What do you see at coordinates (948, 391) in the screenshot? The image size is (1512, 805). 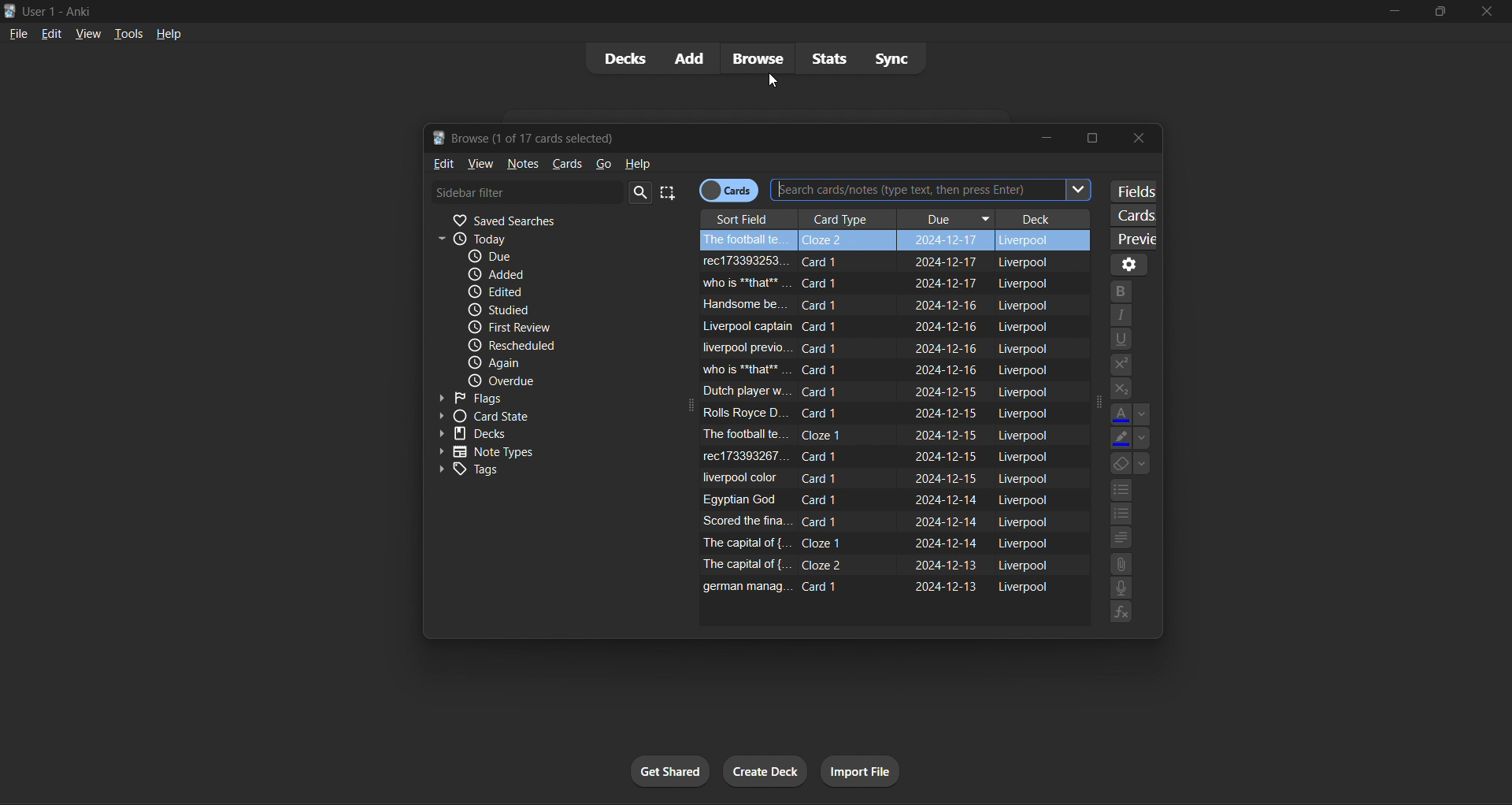 I see `due date` at bounding box center [948, 391].